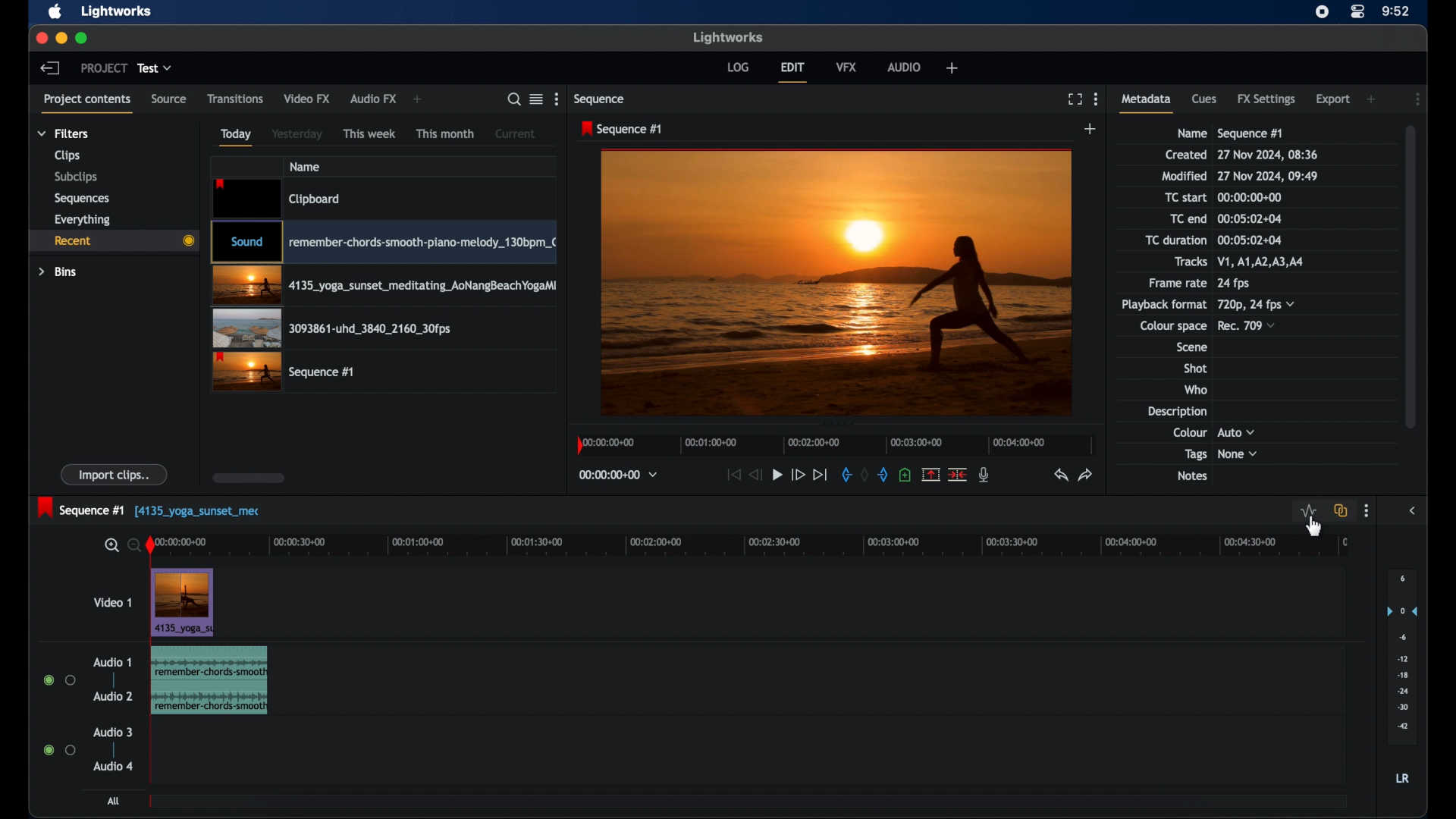  What do you see at coordinates (40, 38) in the screenshot?
I see `close` at bounding box center [40, 38].